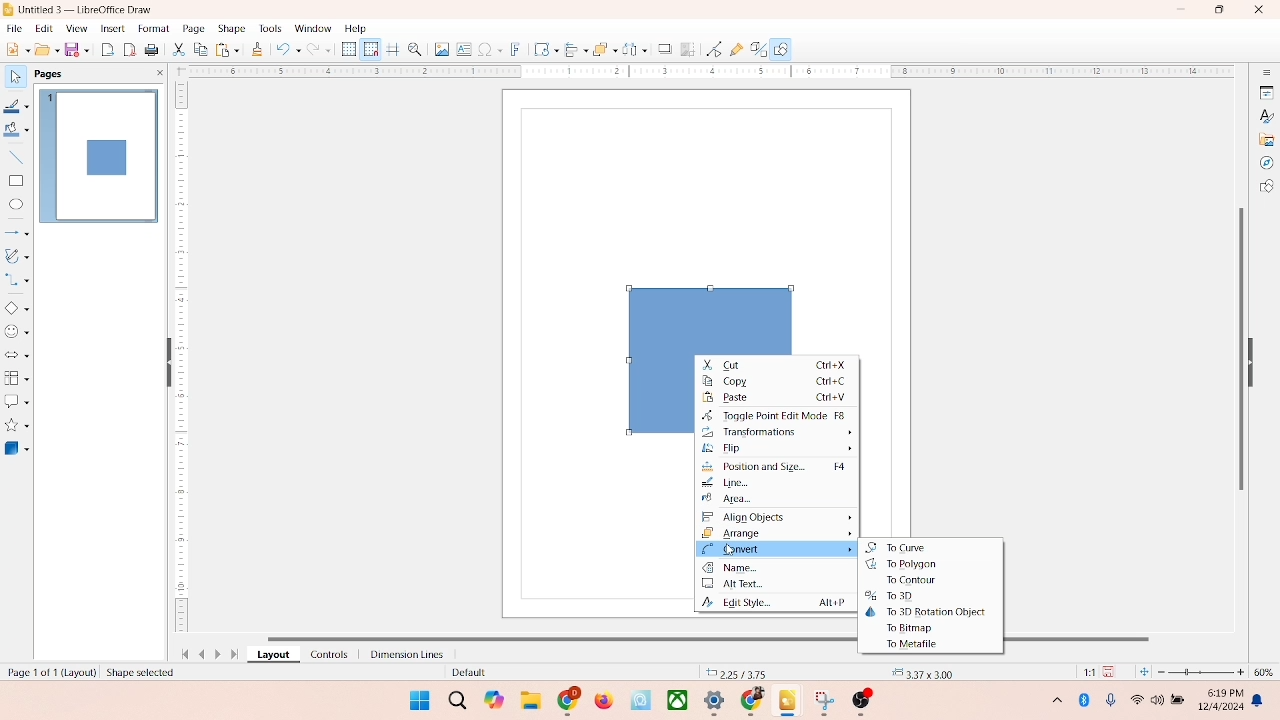 The width and height of the screenshot is (1280, 720). I want to click on point edit mode, so click(714, 48).